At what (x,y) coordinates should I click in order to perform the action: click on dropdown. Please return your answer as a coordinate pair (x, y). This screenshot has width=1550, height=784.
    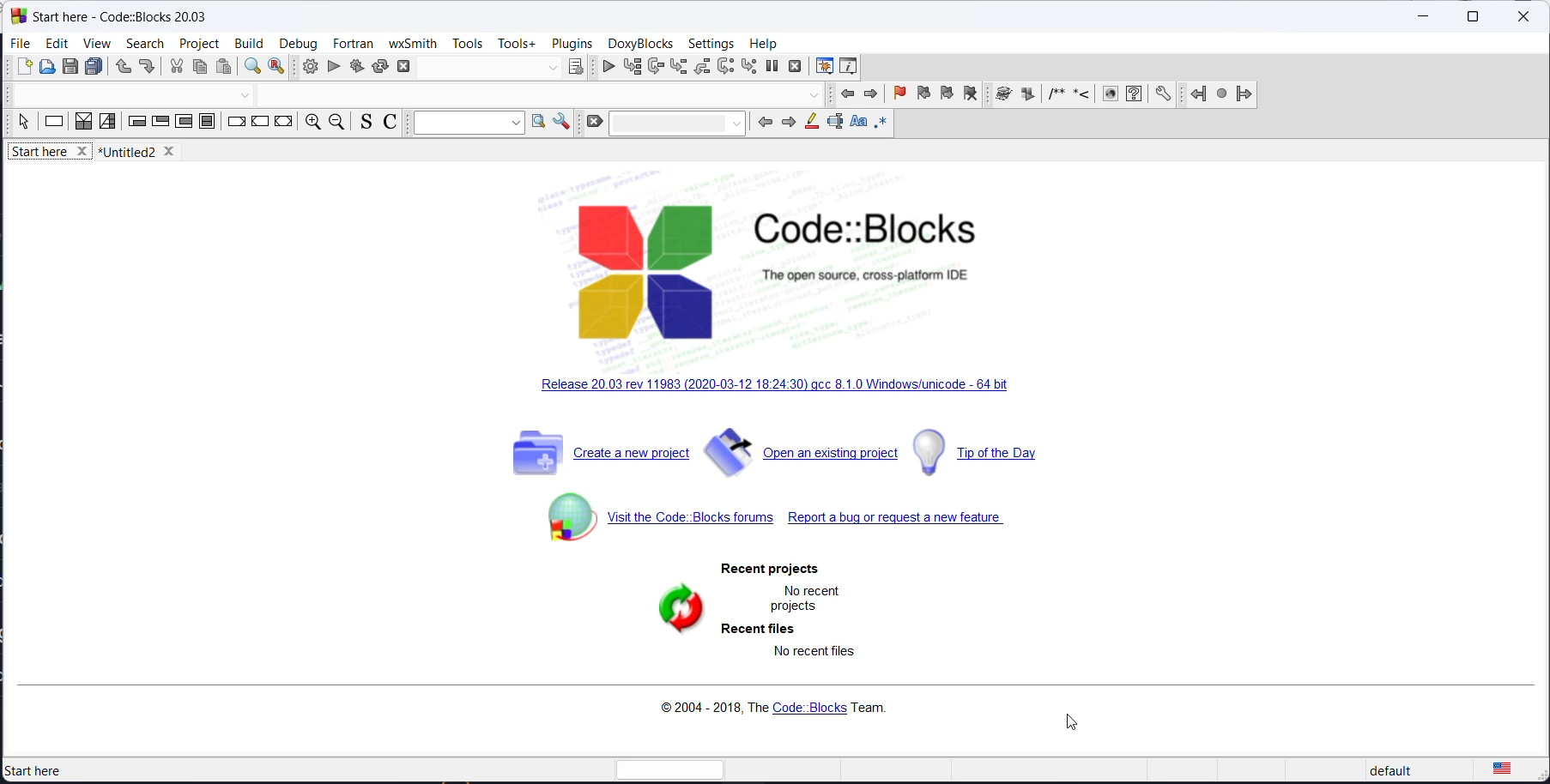
    Looking at the image, I should click on (814, 96).